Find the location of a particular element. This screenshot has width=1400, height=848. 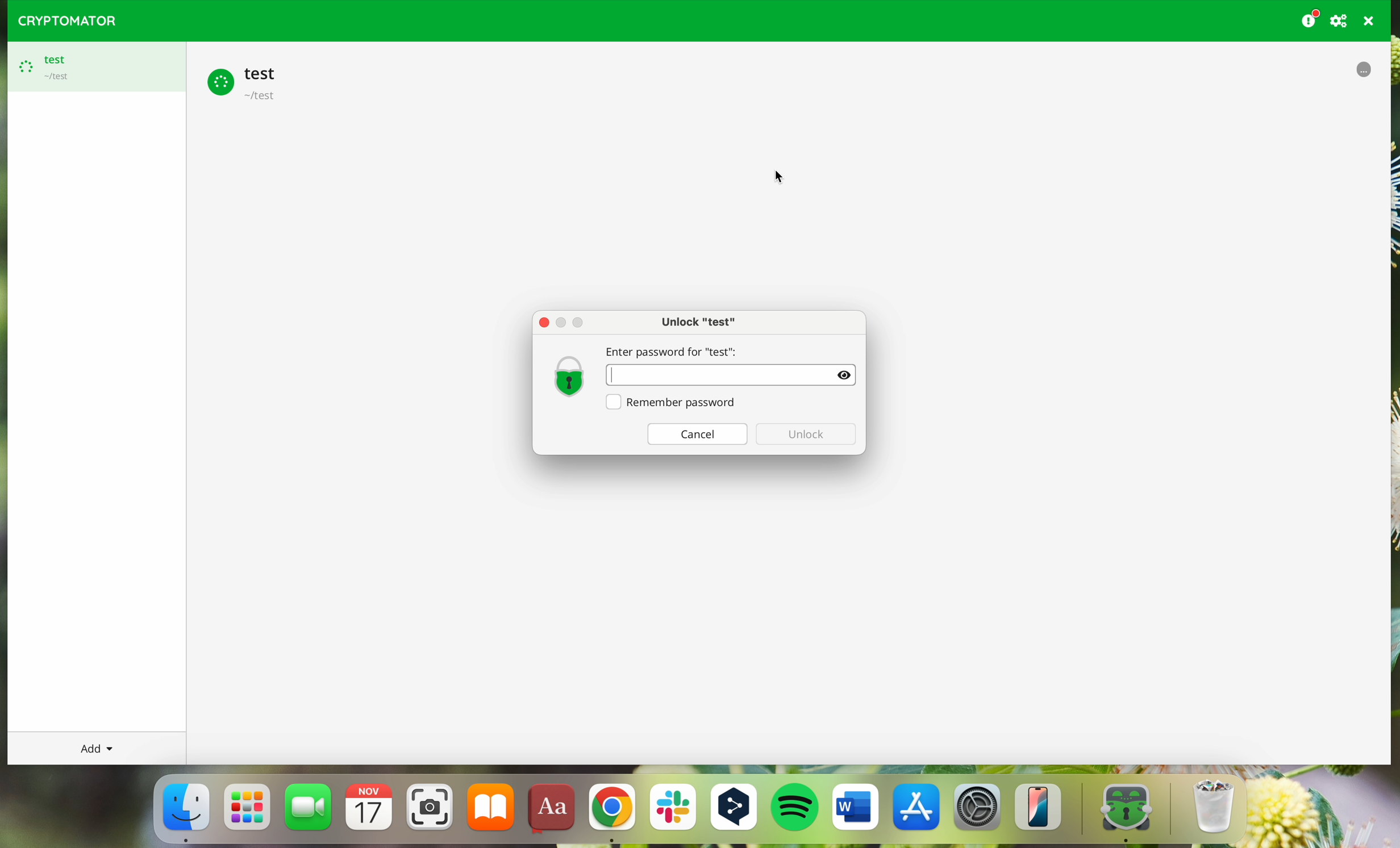

 is located at coordinates (544, 322).